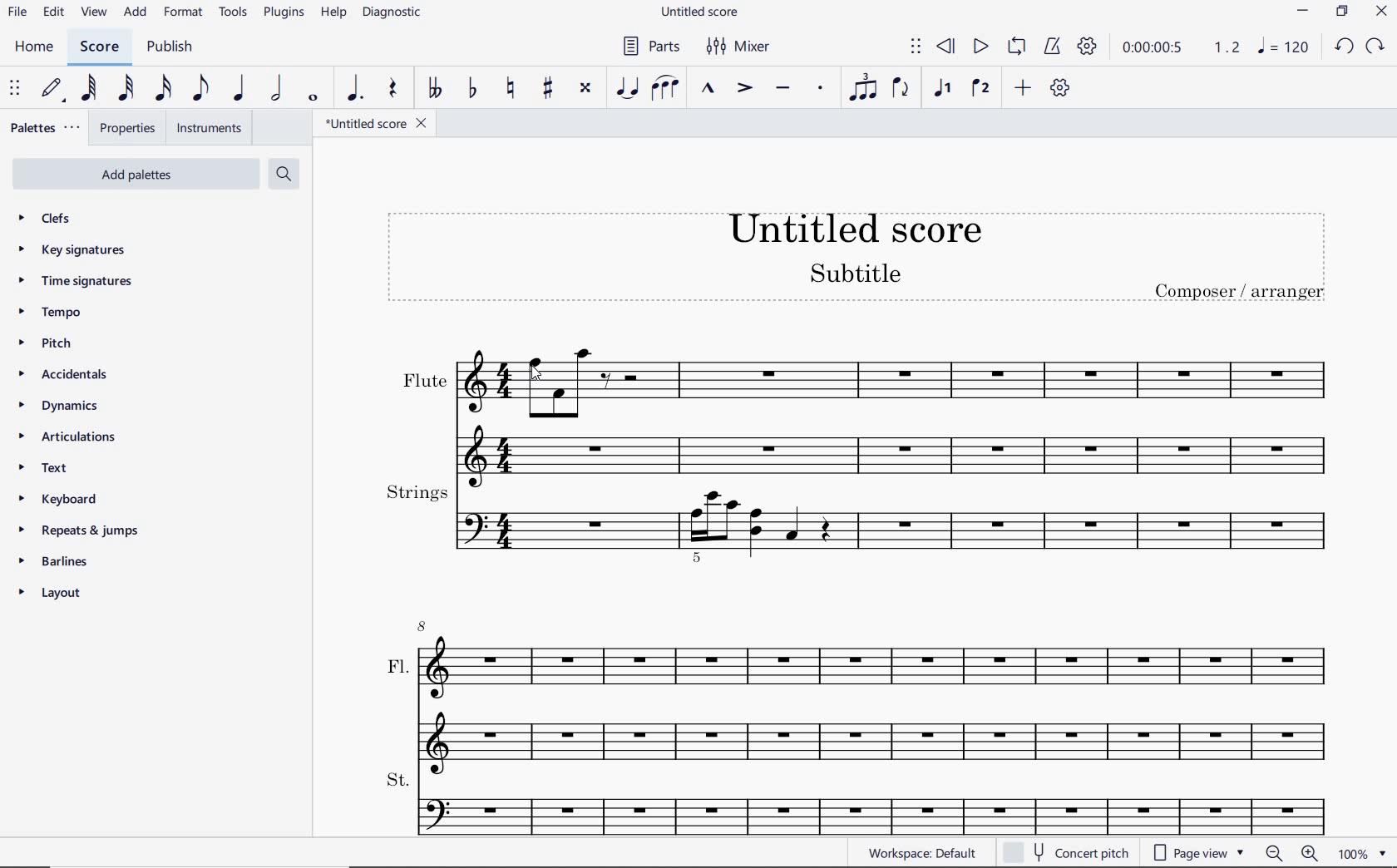 The width and height of the screenshot is (1397, 868). What do you see at coordinates (1068, 852) in the screenshot?
I see `concert pitch` at bounding box center [1068, 852].